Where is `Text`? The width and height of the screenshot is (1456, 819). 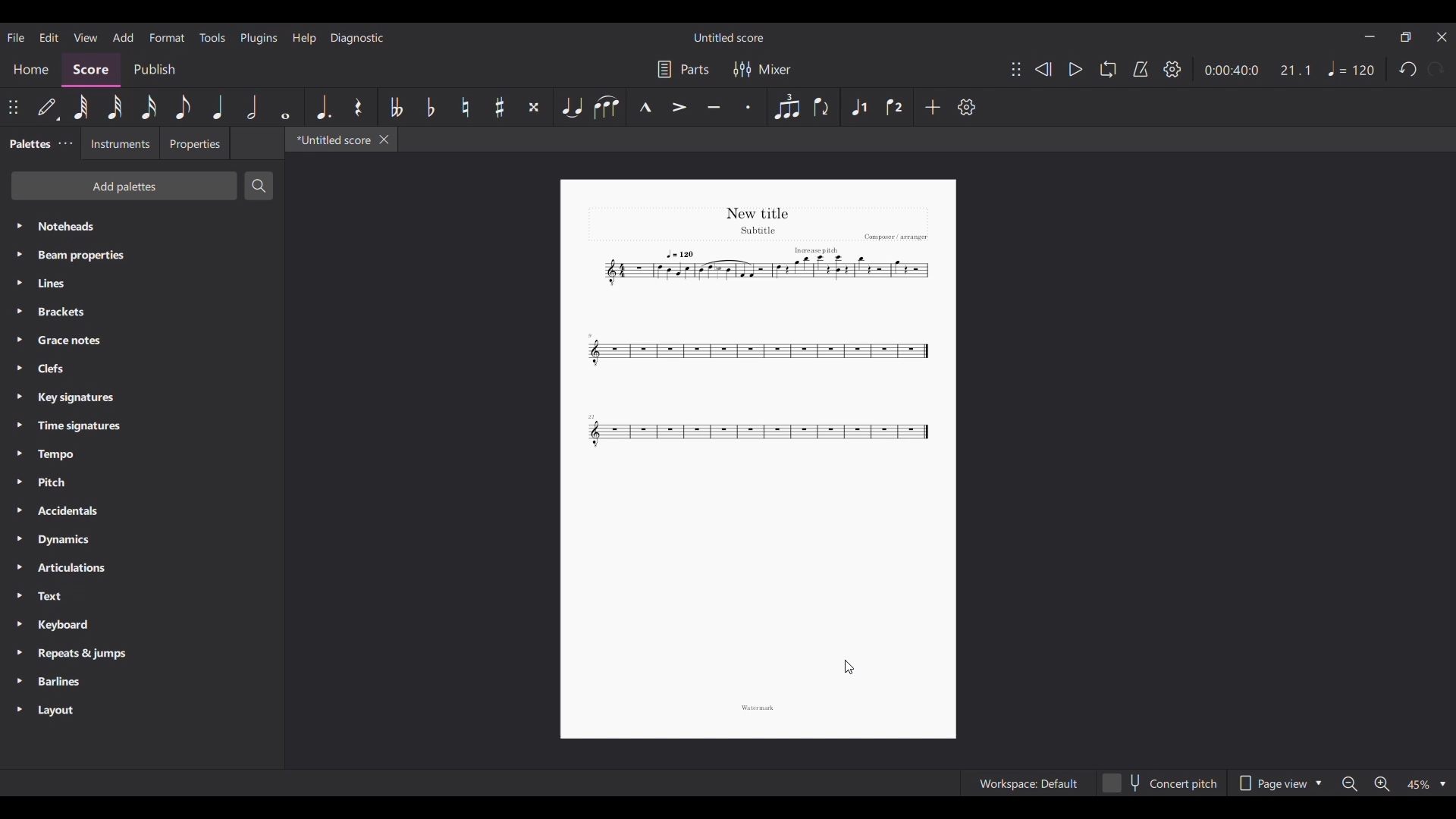 Text is located at coordinates (142, 596).